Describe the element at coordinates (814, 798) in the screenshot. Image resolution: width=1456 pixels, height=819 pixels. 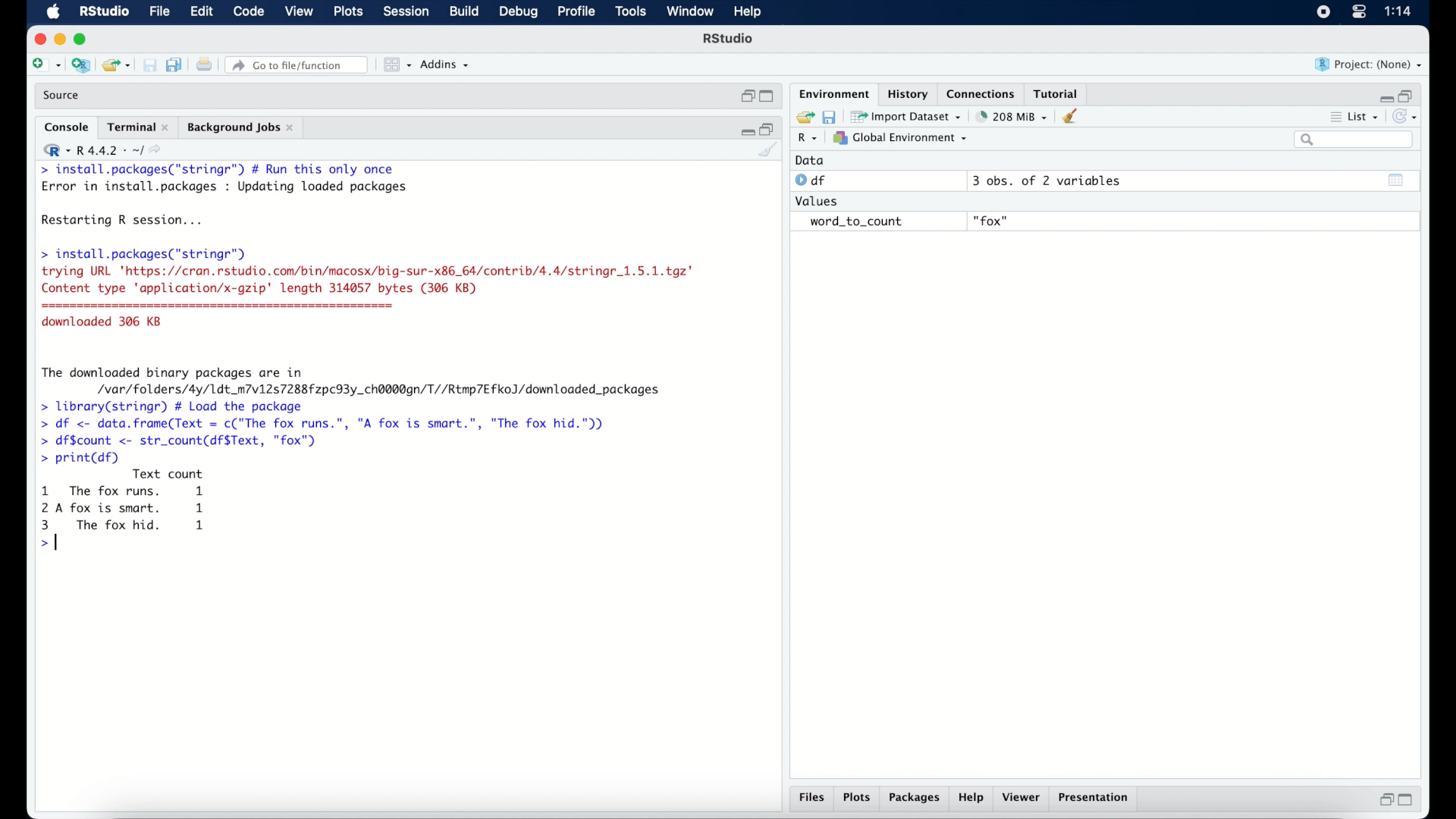
I see `files` at that location.